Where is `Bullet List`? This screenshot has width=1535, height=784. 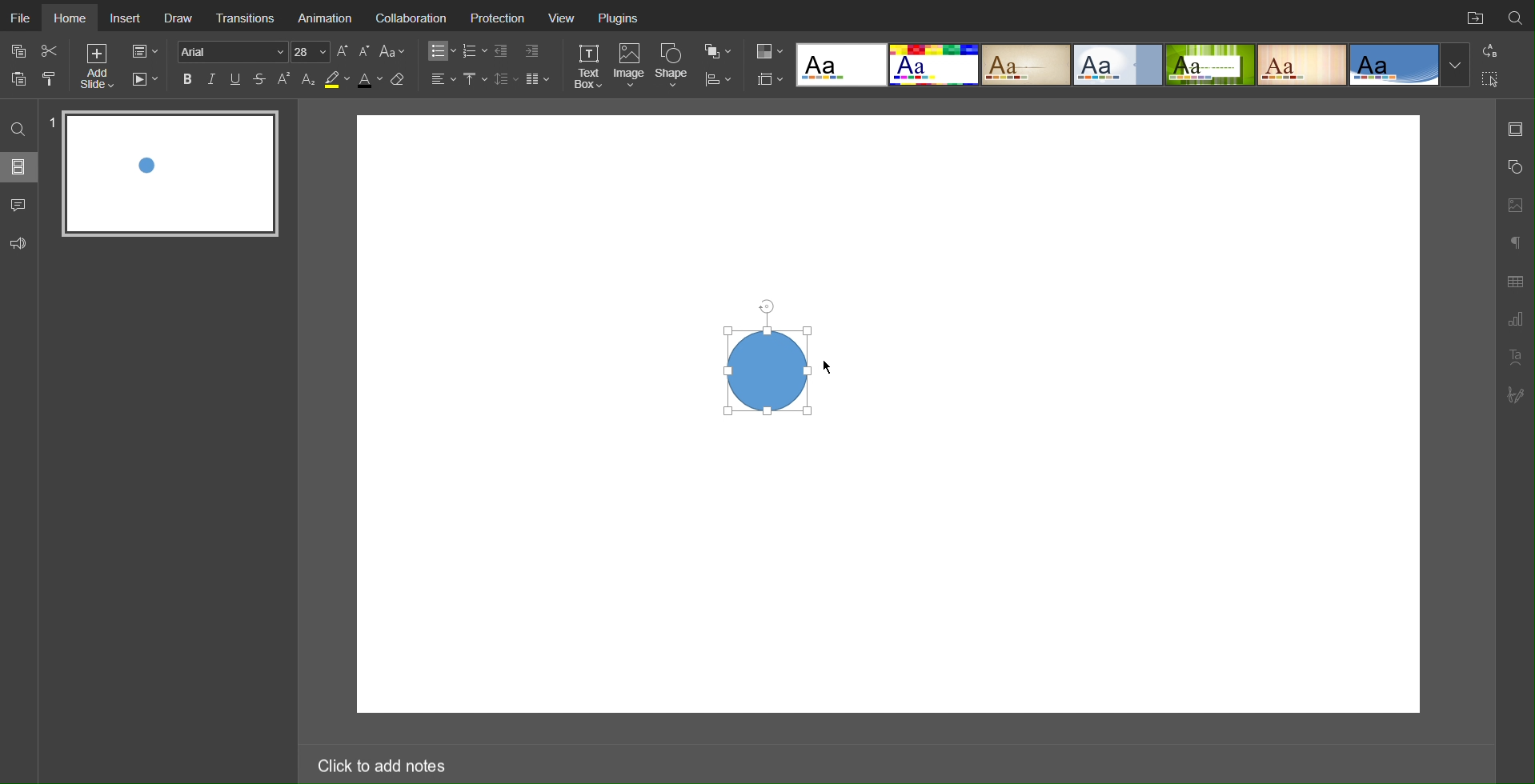 Bullet List is located at coordinates (439, 51).